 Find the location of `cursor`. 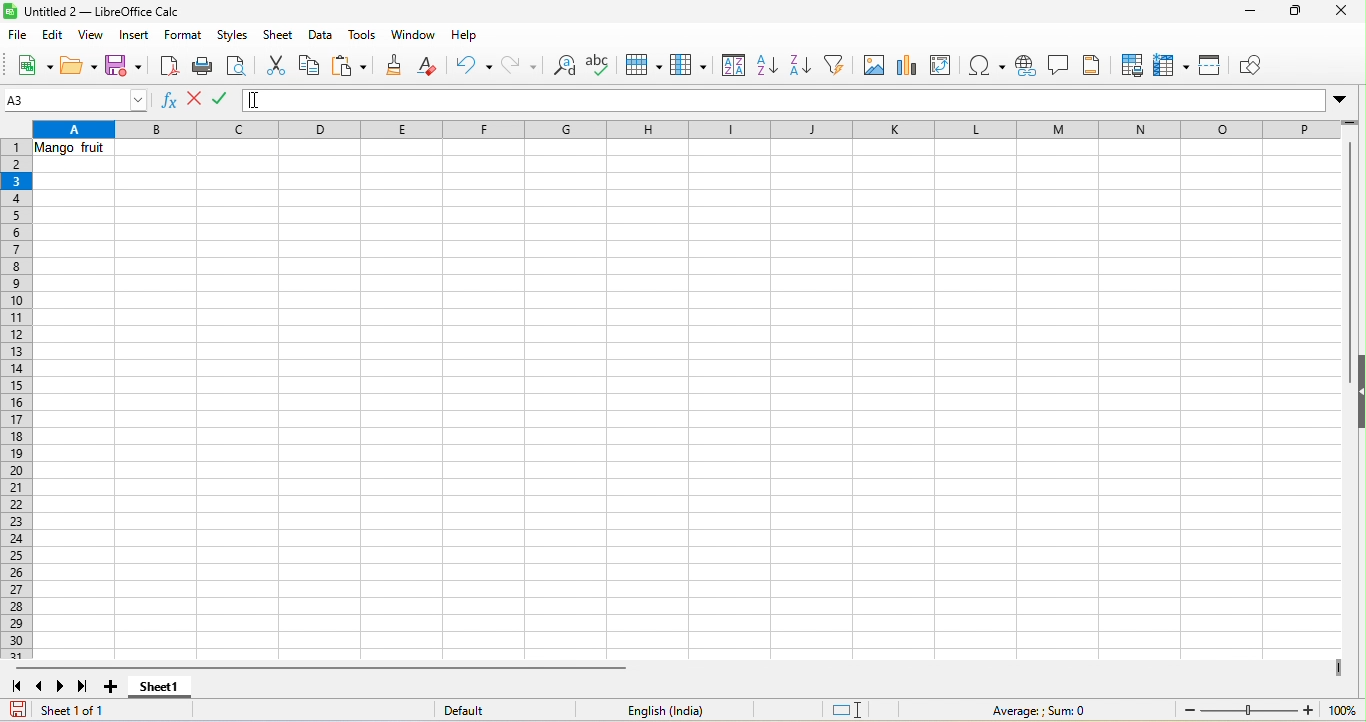

cursor is located at coordinates (262, 100).